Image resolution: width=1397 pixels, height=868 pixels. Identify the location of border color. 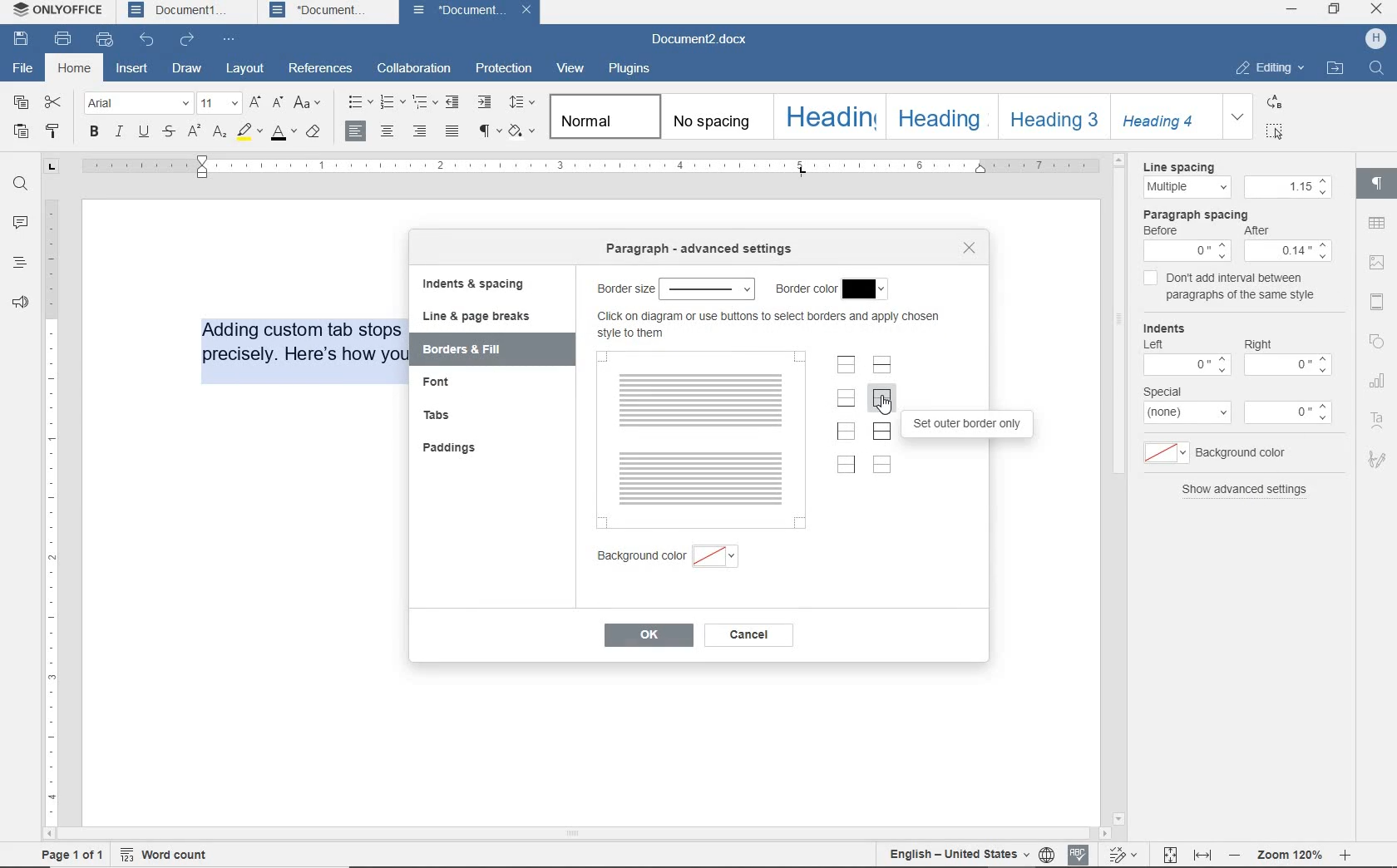
(804, 289).